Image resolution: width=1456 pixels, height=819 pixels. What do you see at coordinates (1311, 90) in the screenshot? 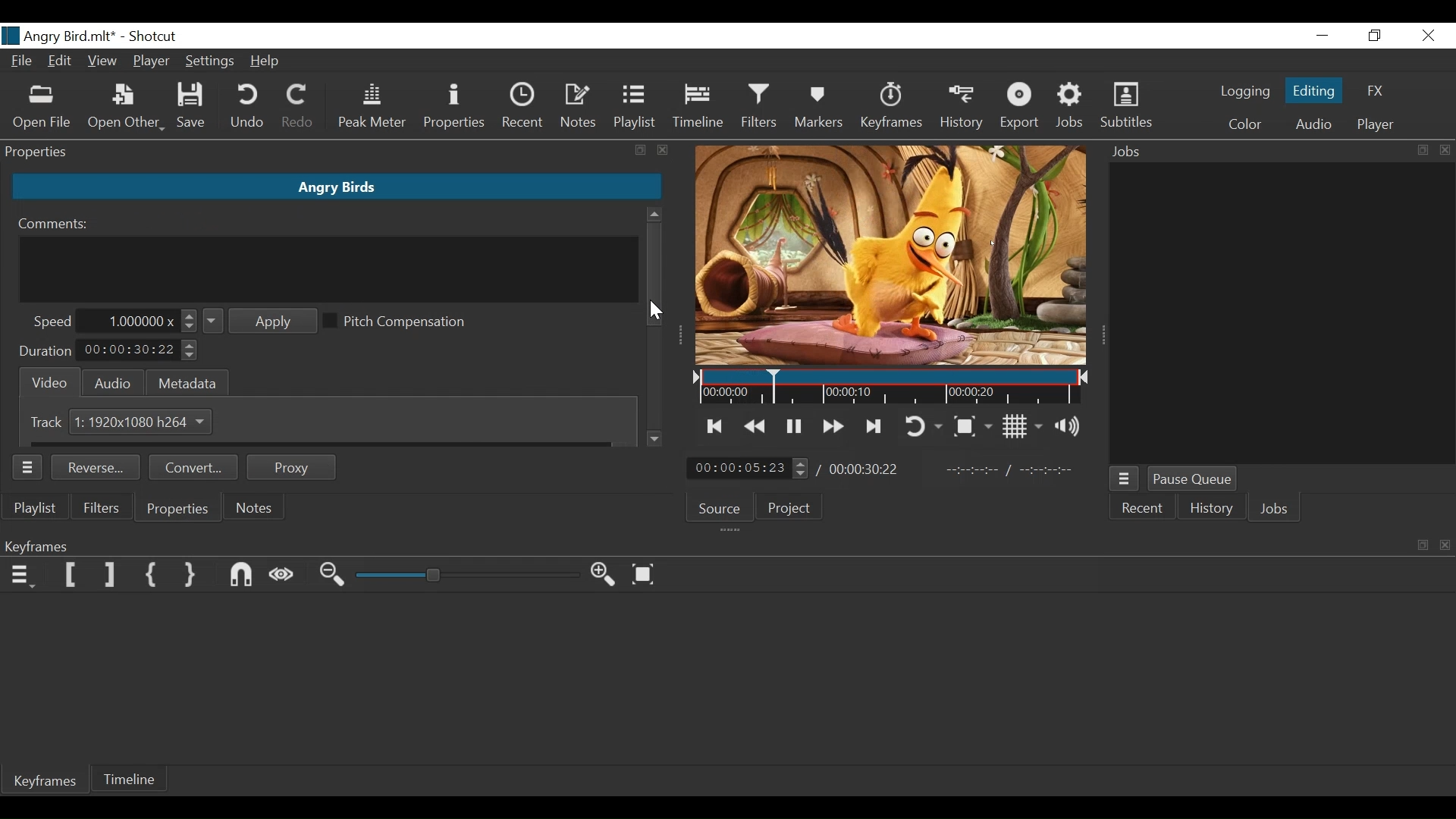
I see `Editing` at bounding box center [1311, 90].